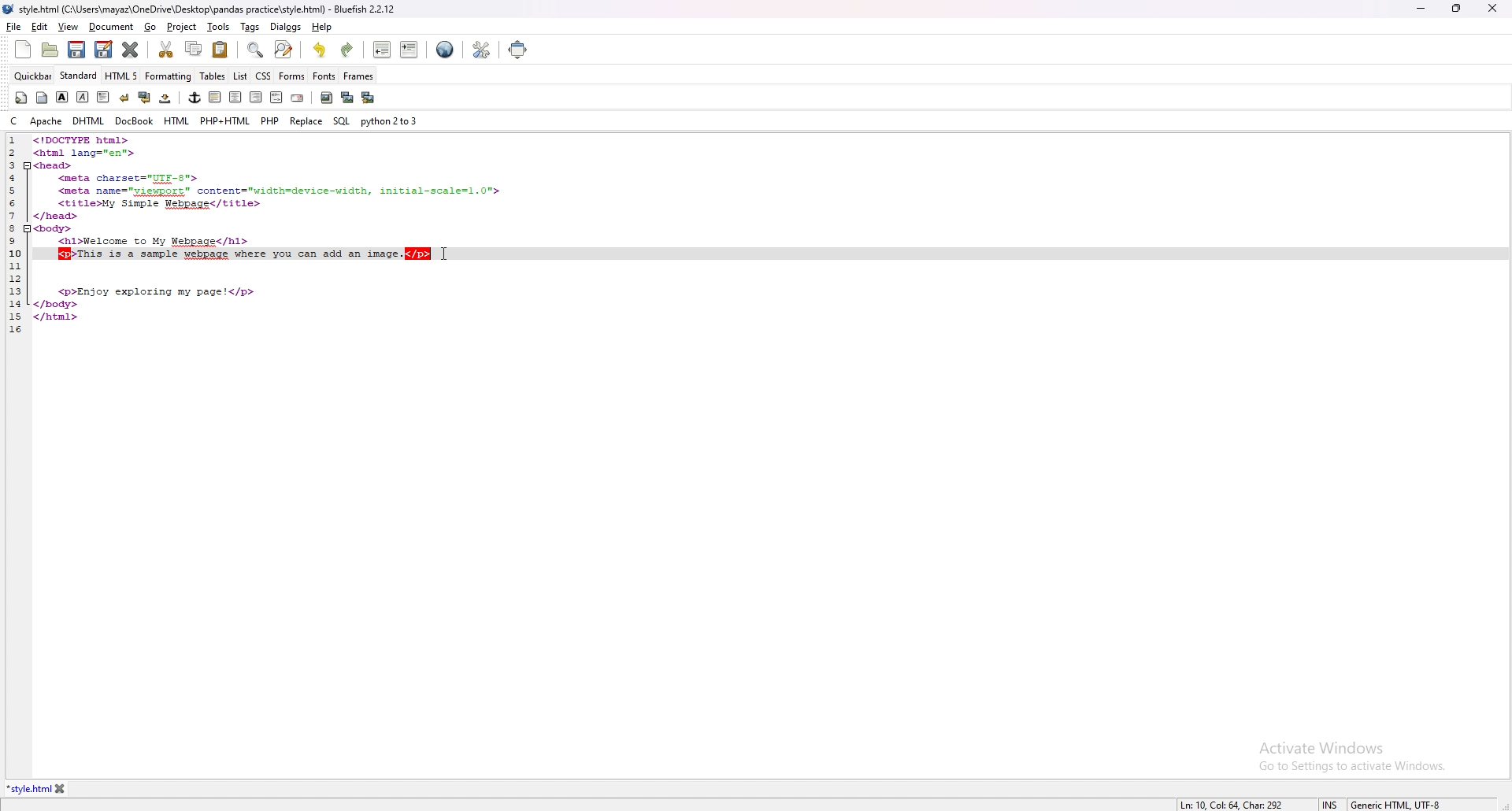 The image size is (1512, 811). I want to click on <head>, so click(54, 165).